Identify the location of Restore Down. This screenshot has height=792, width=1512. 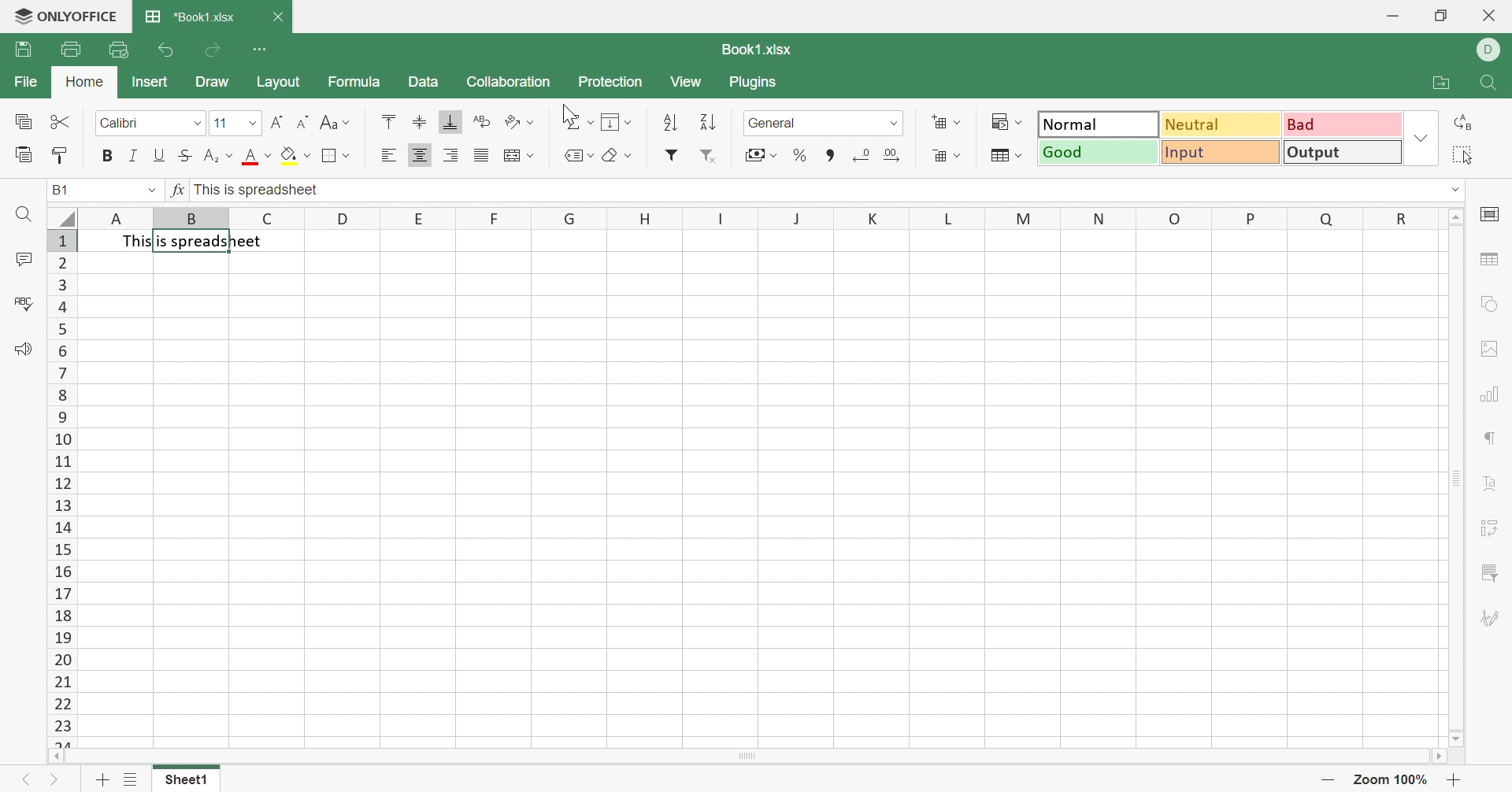
(1444, 17).